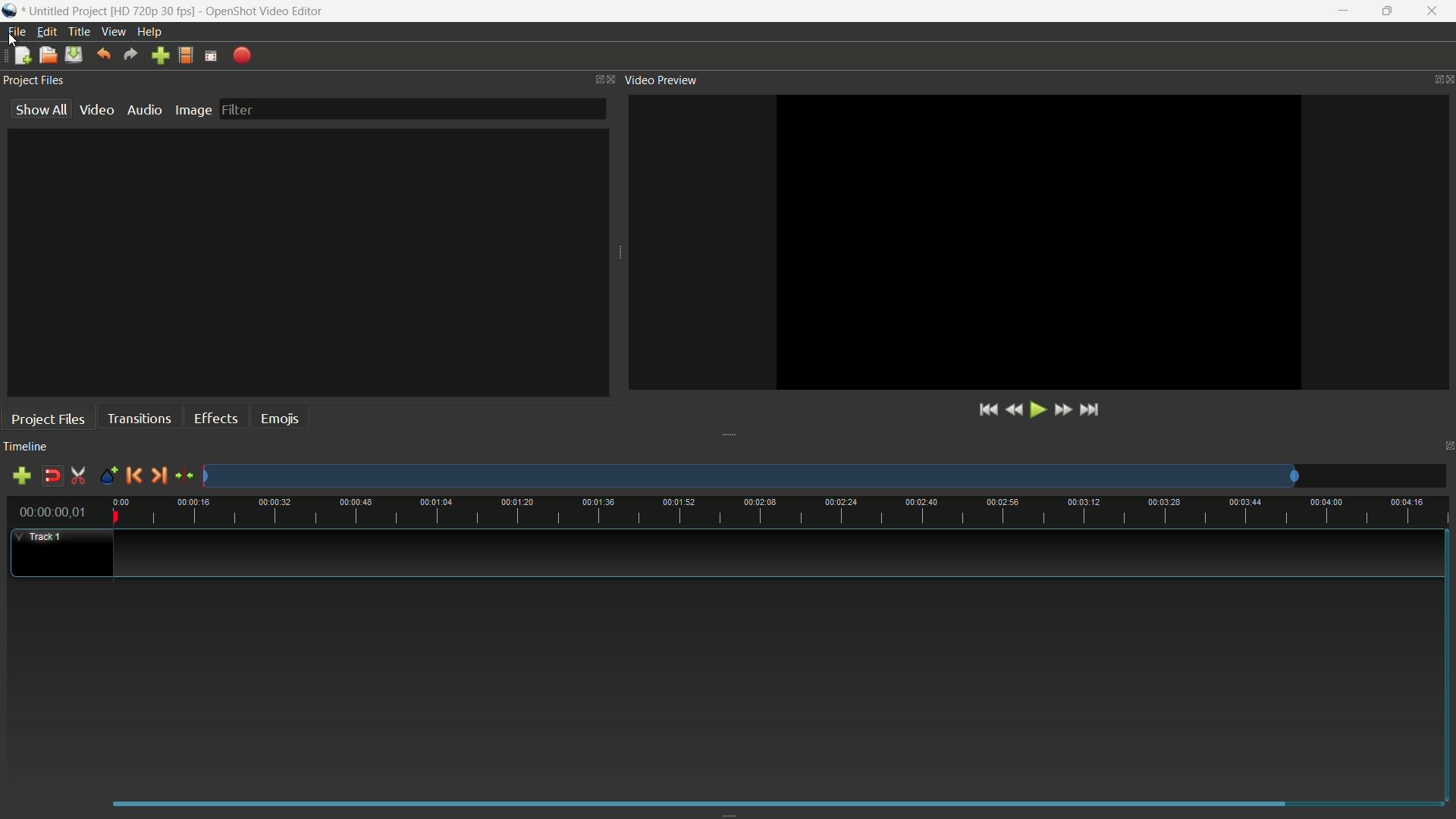 The width and height of the screenshot is (1456, 819). I want to click on add track, so click(21, 477).